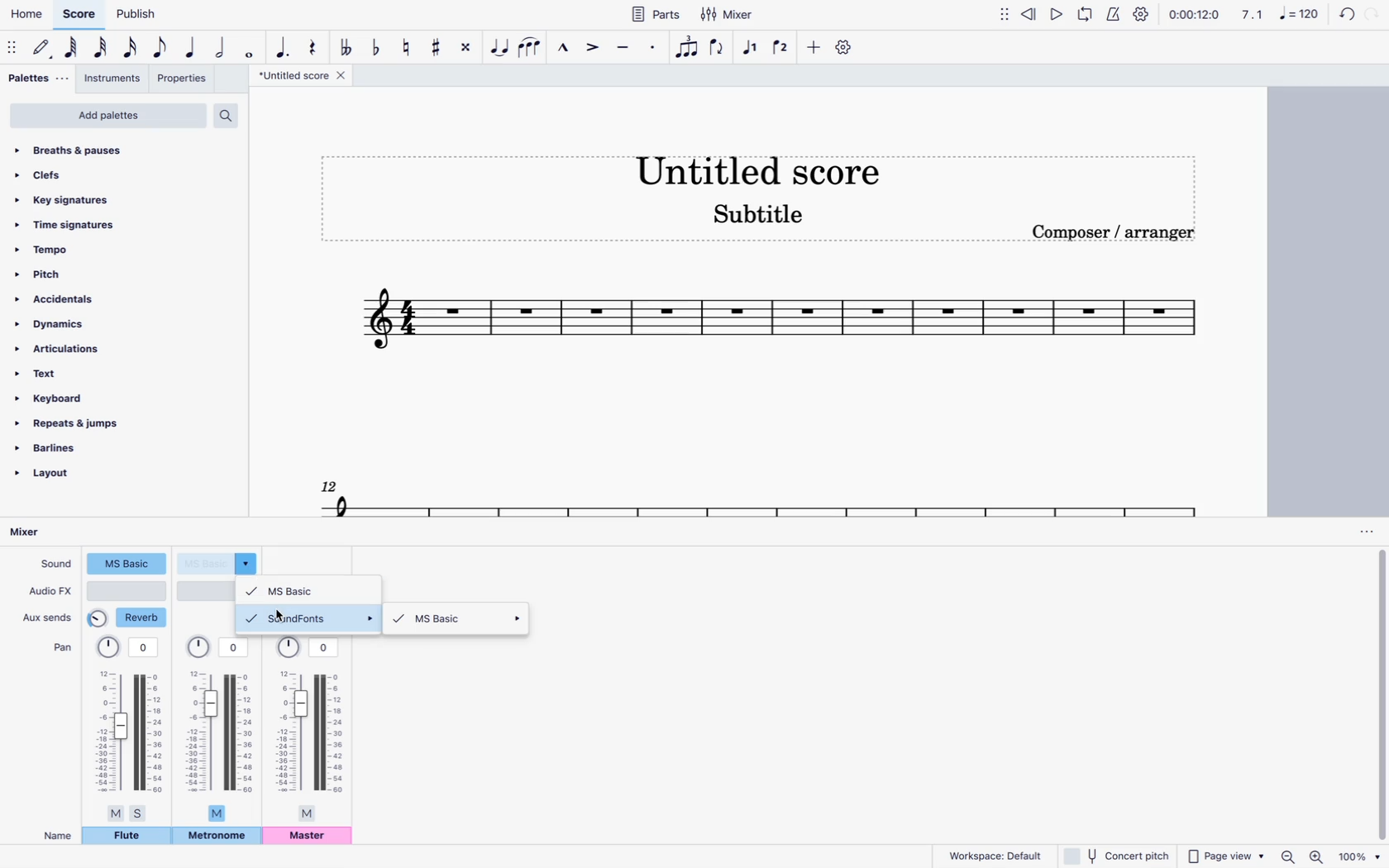 Image resolution: width=1389 pixels, height=868 pixels. I want to click on audio type, so click(128, 591).